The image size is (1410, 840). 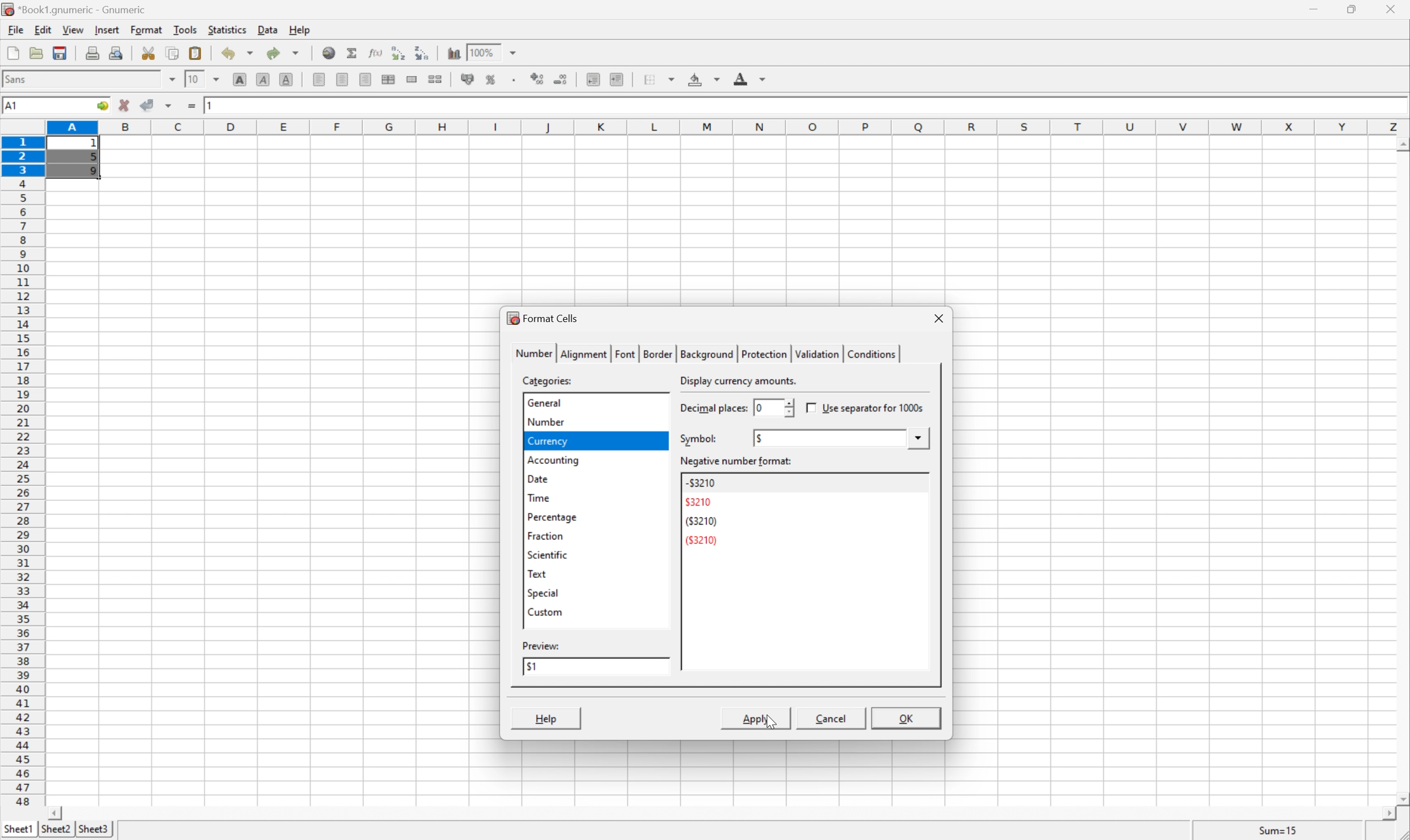 I want to click on drop down, so click(x=516, y=52).